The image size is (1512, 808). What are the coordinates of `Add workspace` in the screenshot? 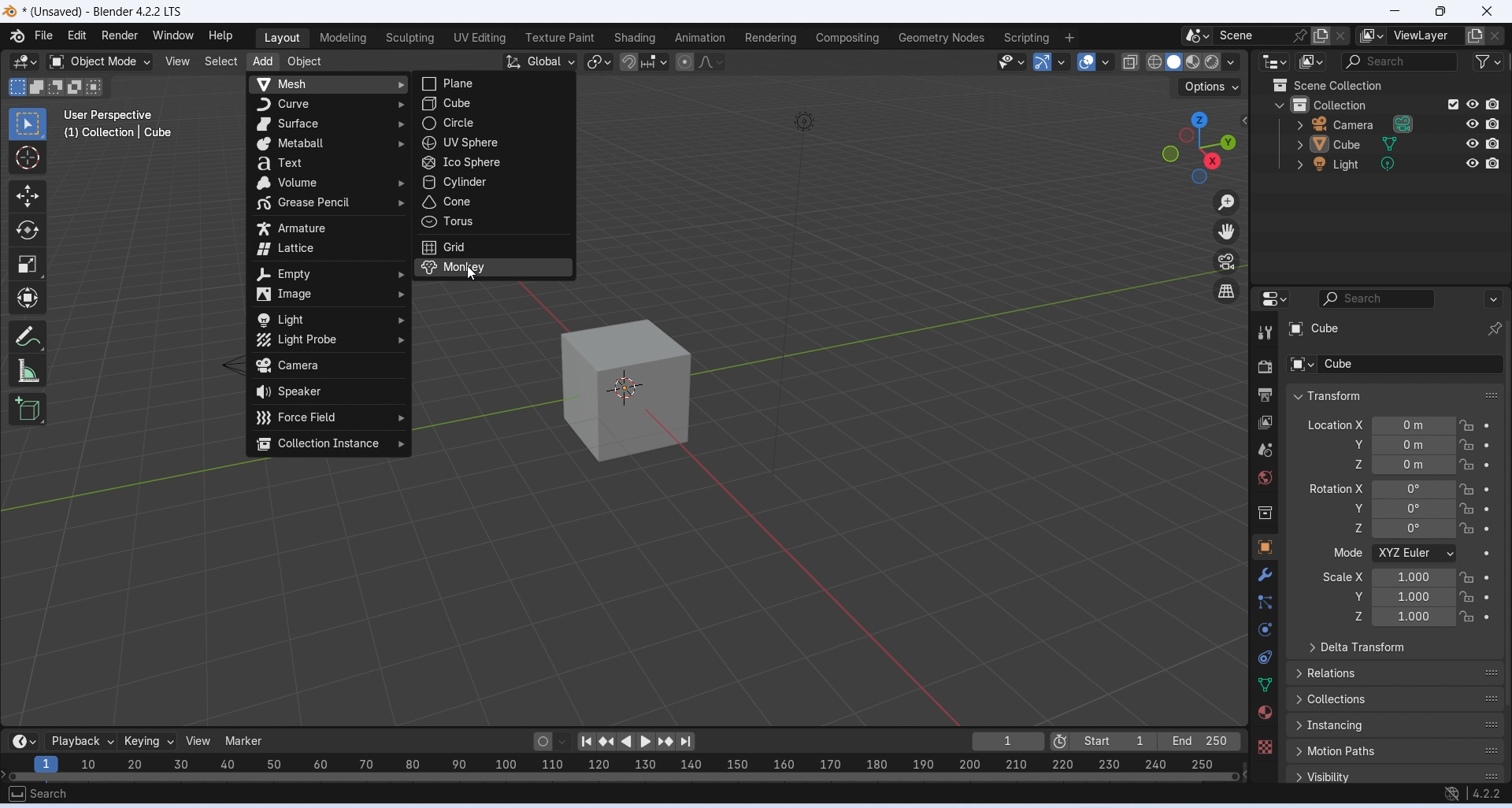 It's located at (1070, 38).